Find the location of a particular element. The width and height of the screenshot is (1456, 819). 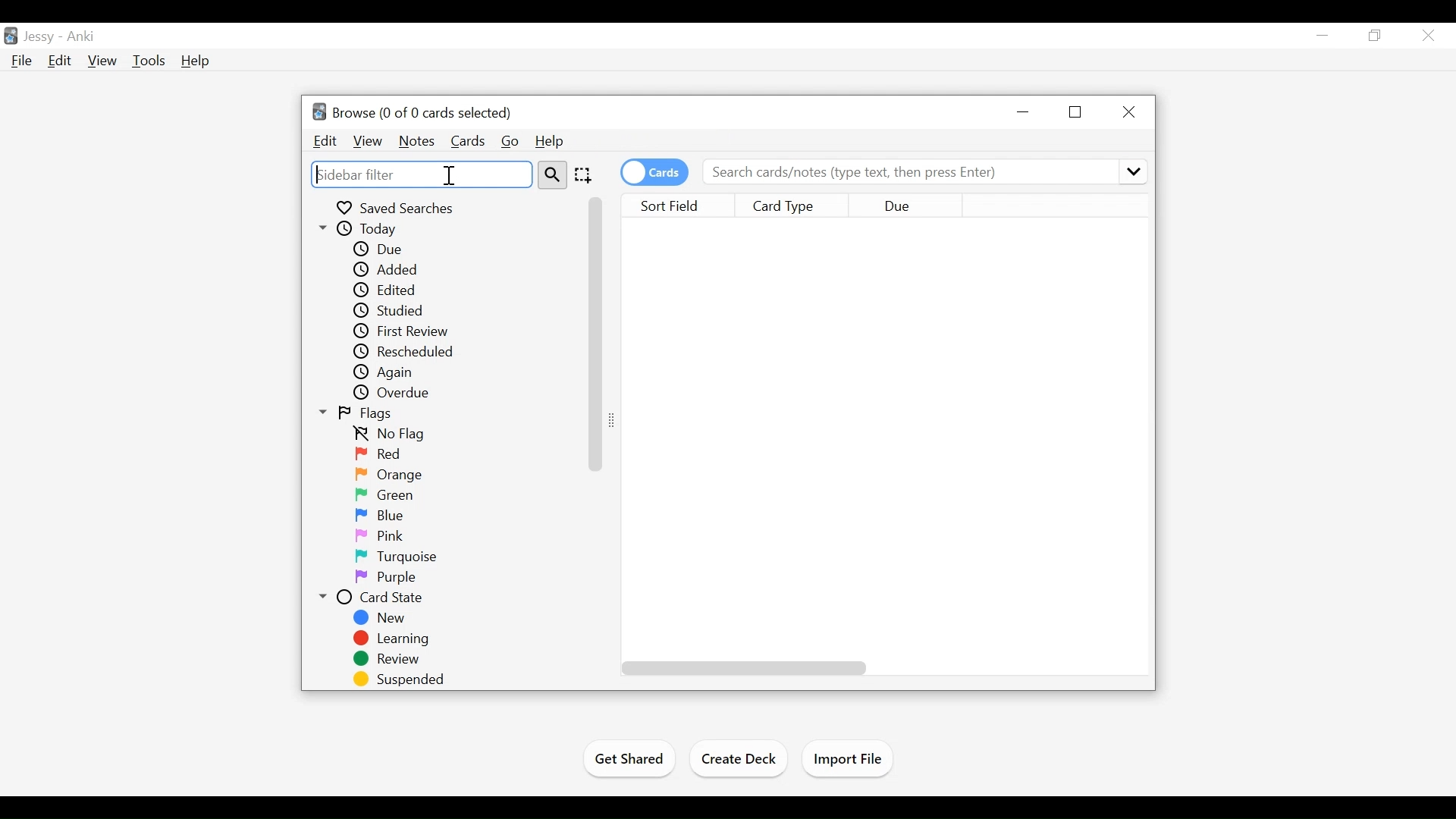

Anki is located at coordinates (83, 38).